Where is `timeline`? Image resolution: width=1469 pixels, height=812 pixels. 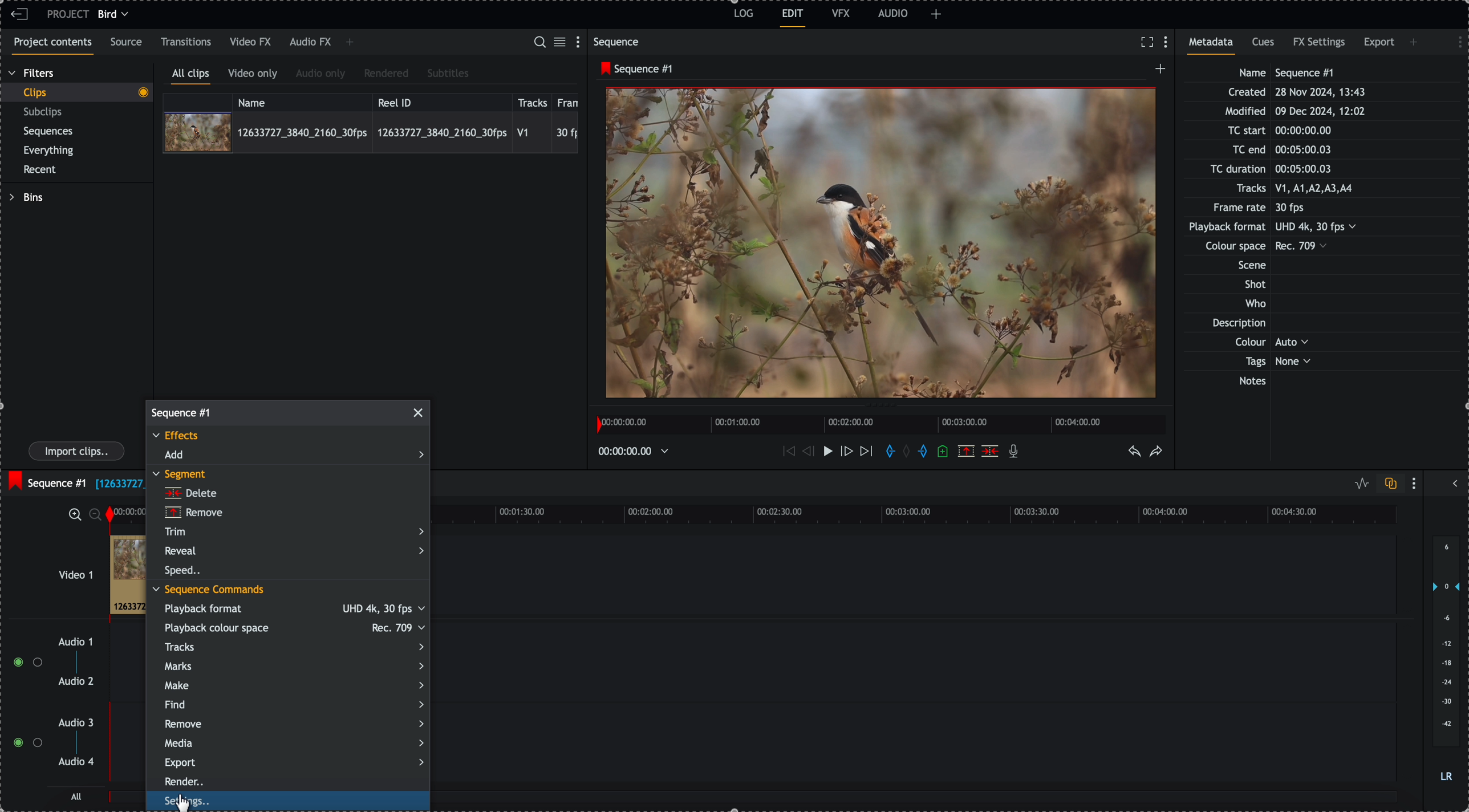 timeline is located at coordinates (130, 512).